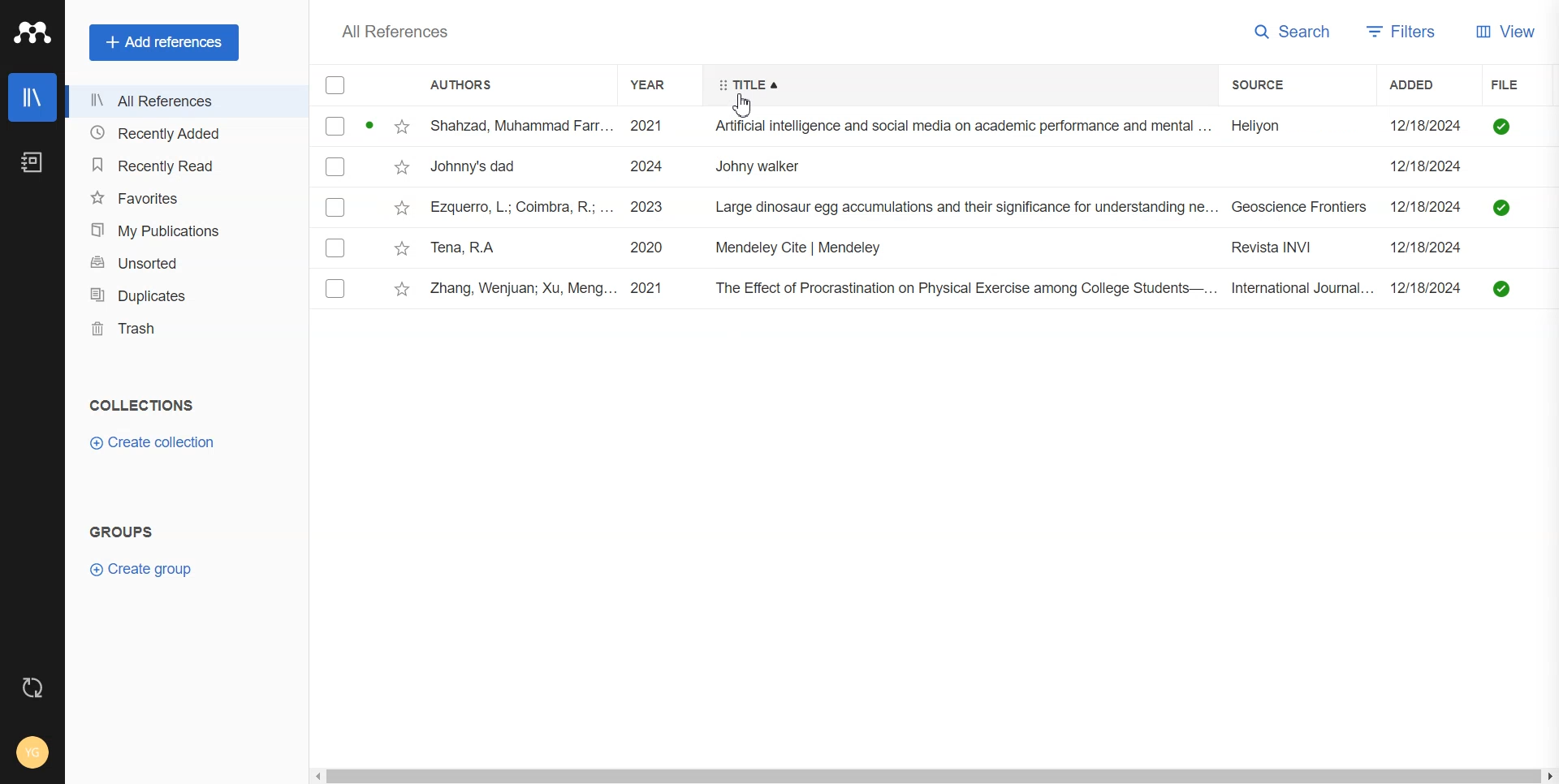  What do you see at coordinates (185, 133) in the screenshot?
I see `Recently Added` at bounding box center [185, 133].